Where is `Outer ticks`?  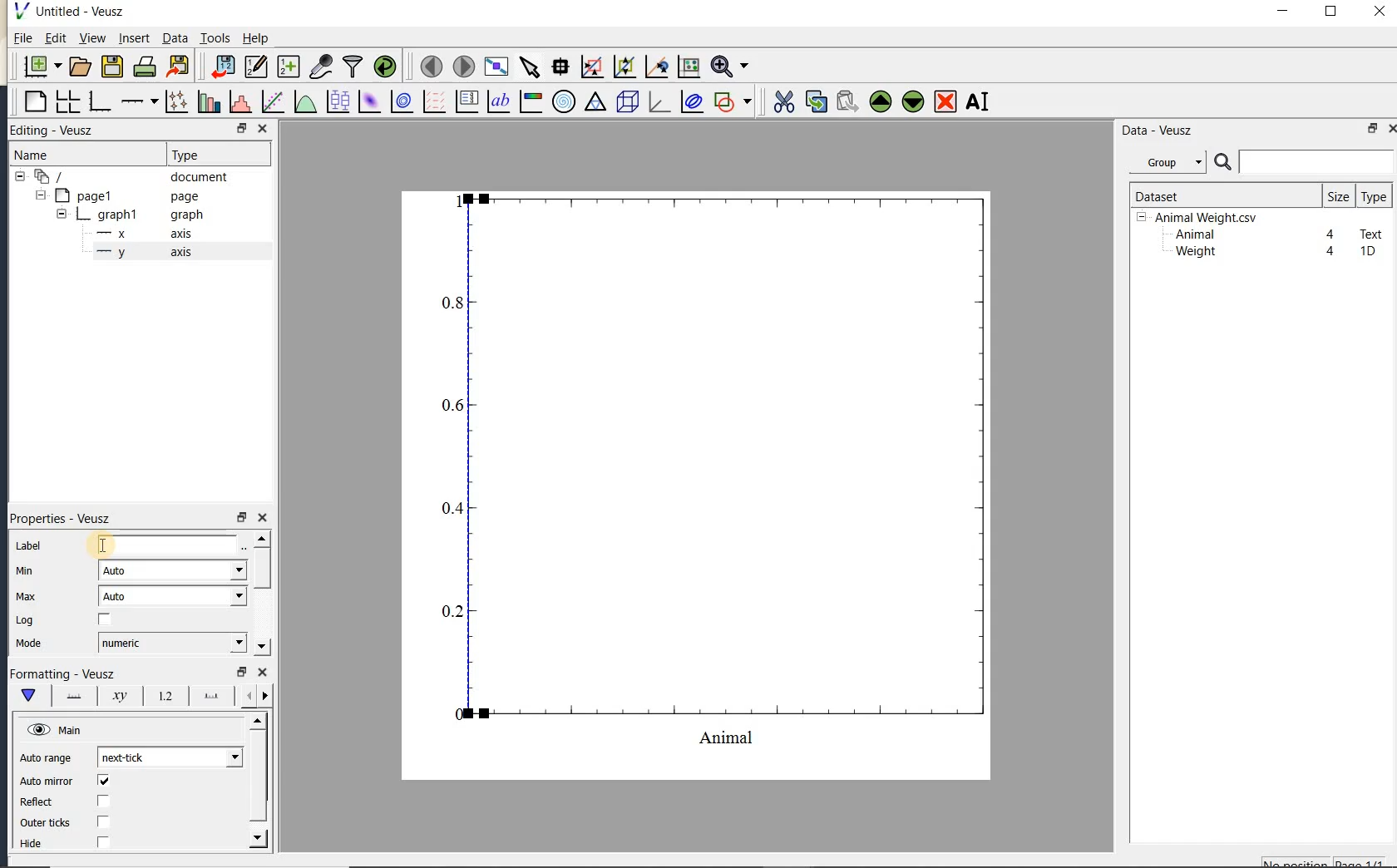 Outer ticks is located at coordinates (47, 822).